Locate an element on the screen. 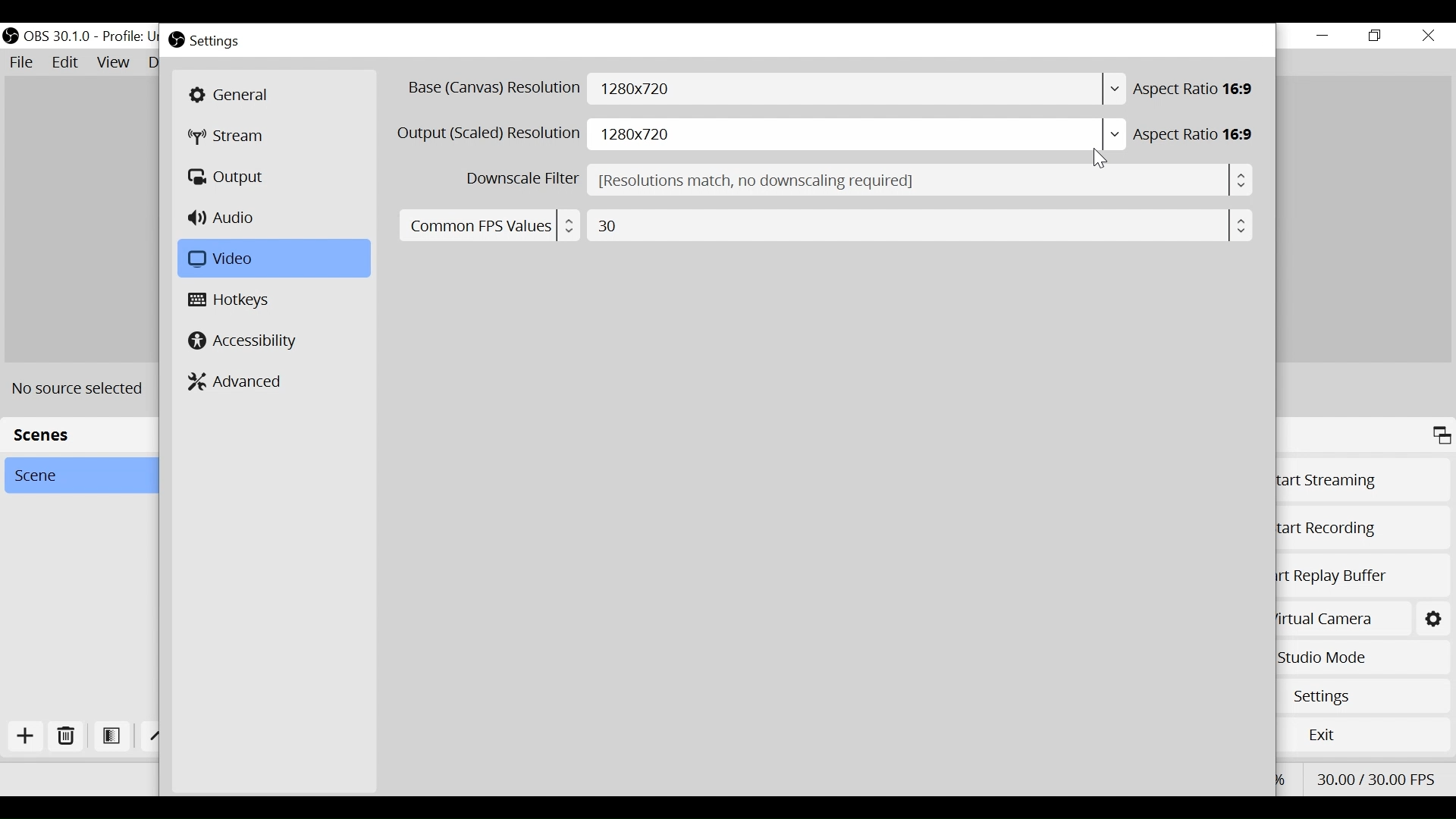  General is located at coordinates (272, 95).